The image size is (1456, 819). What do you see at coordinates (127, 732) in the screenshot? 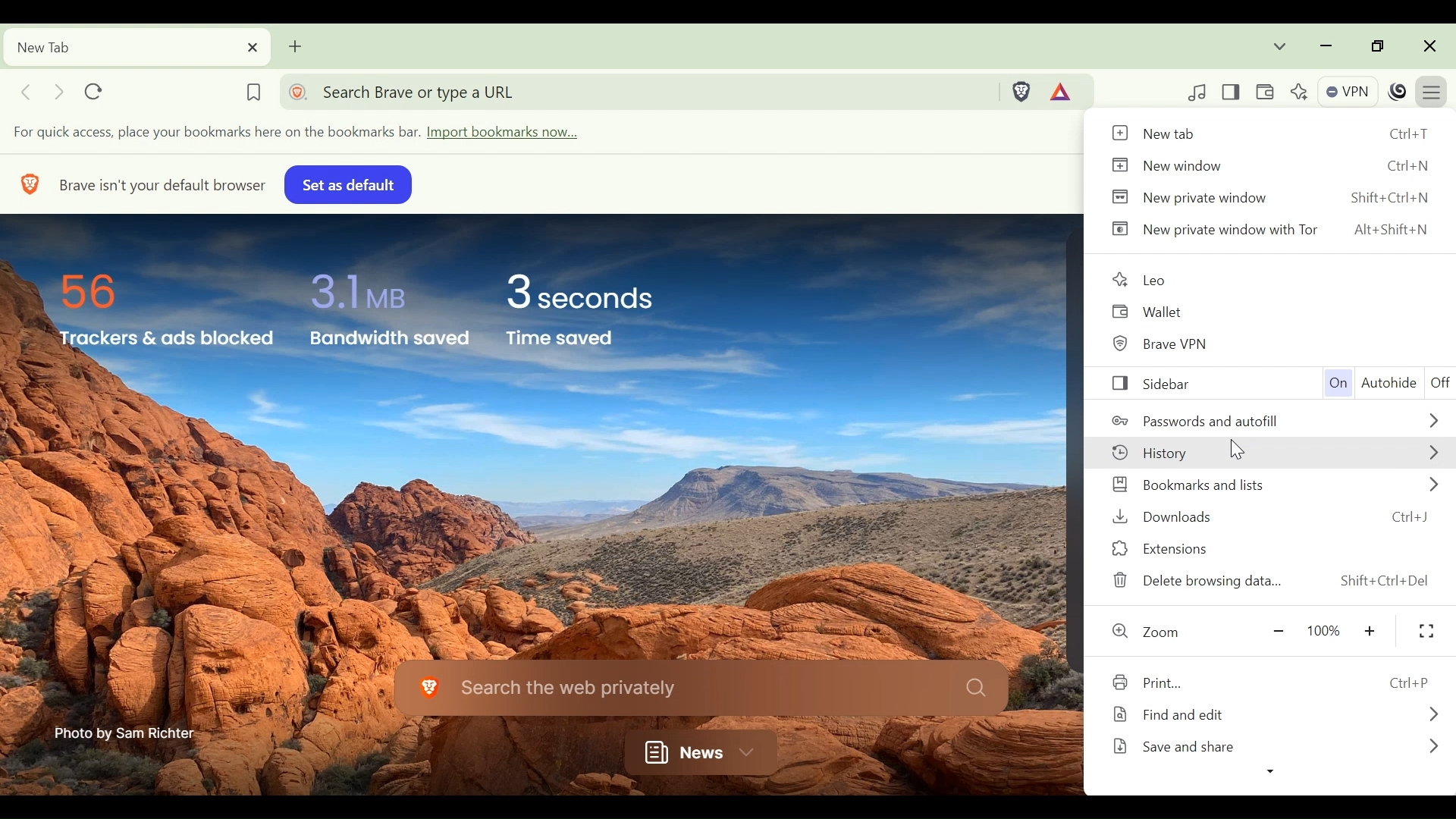
I see `Photo by Sam Richter-—` at bounding box center [127, 732].